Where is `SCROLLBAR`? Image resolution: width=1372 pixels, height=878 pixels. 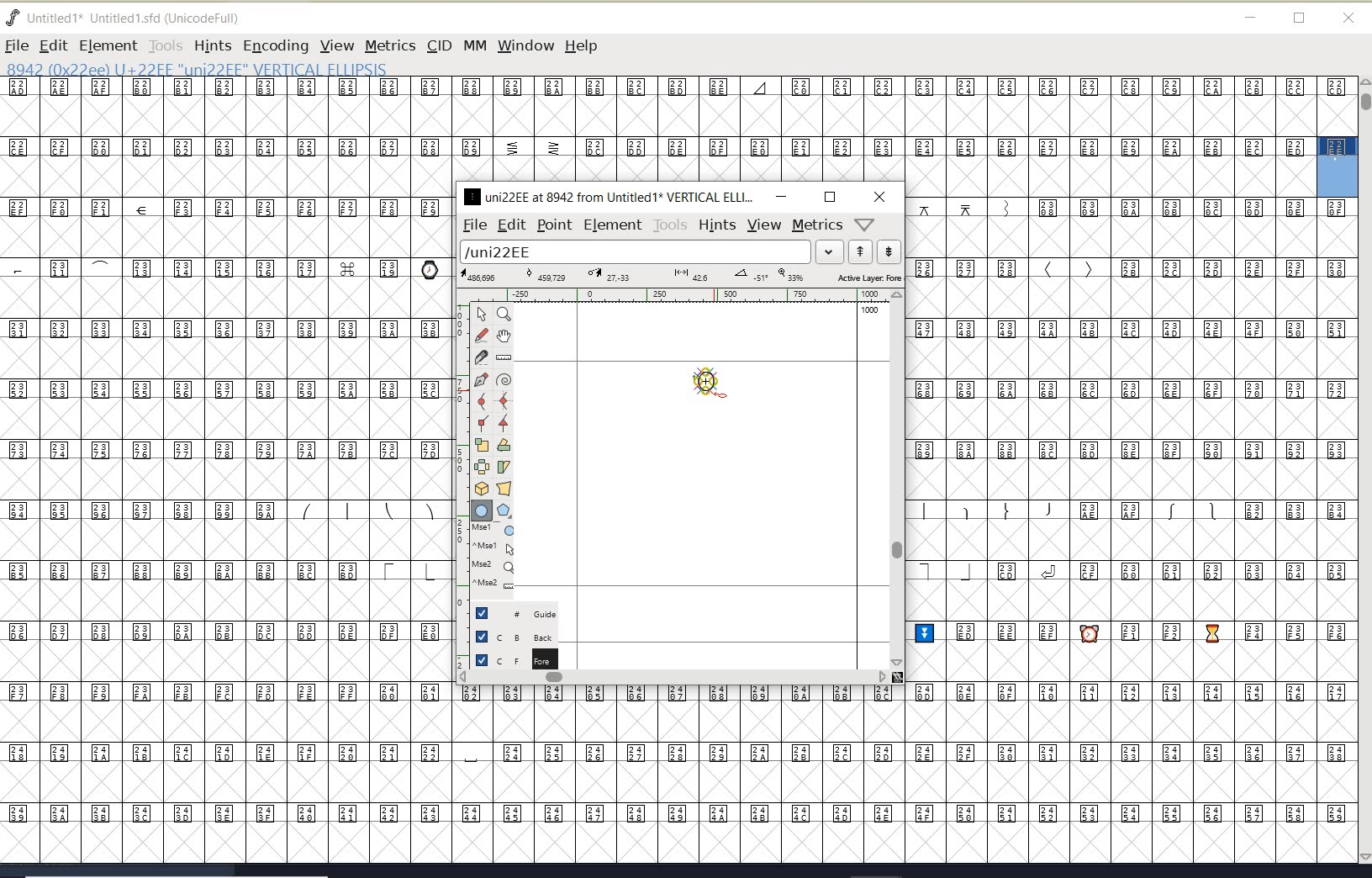
SCROLLBAR is located at coordinates (1364, 472).